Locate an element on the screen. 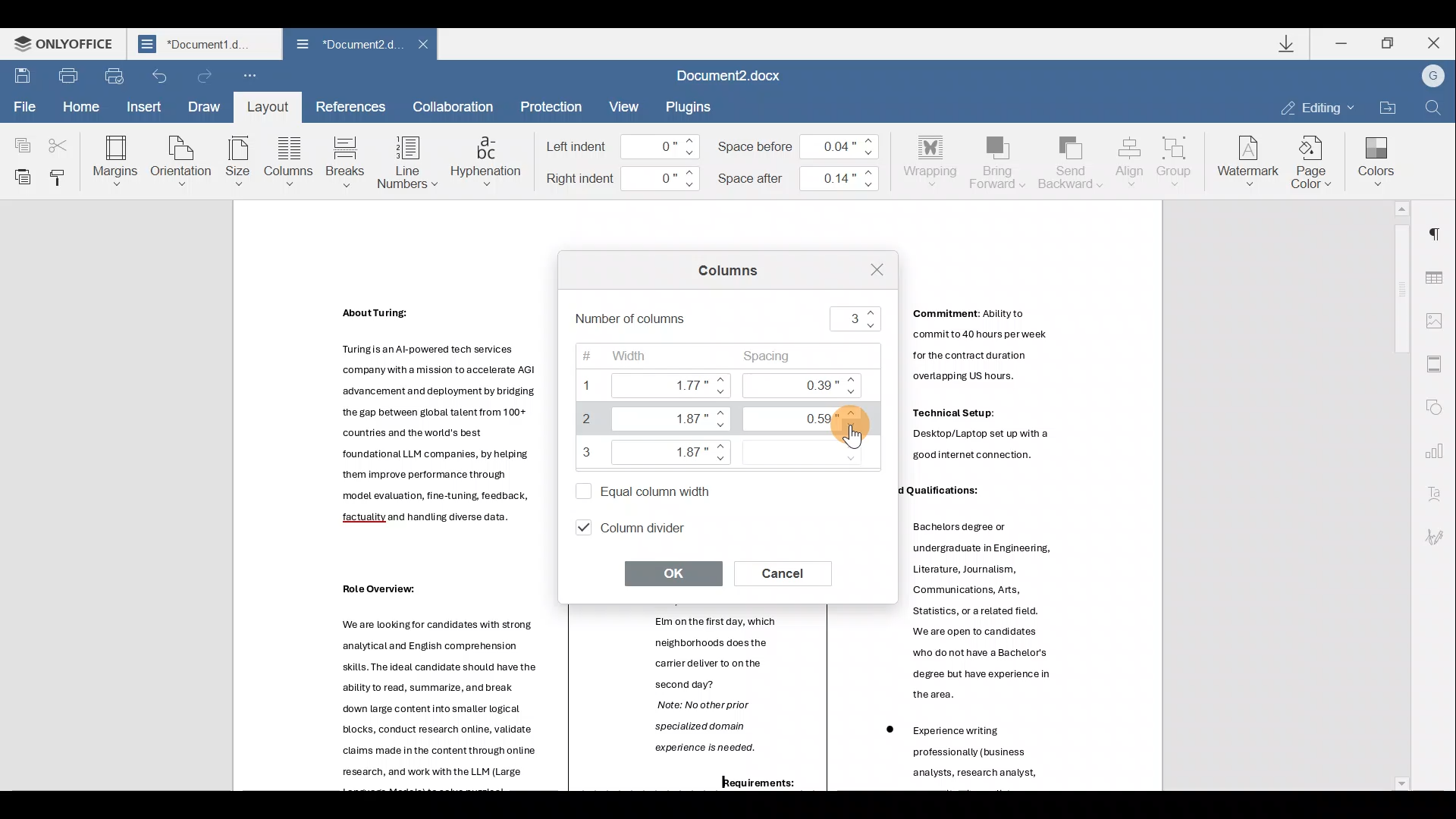 The height and width of the screenshot is (819, 1456). Cancel is located at coordinates (791, 572).